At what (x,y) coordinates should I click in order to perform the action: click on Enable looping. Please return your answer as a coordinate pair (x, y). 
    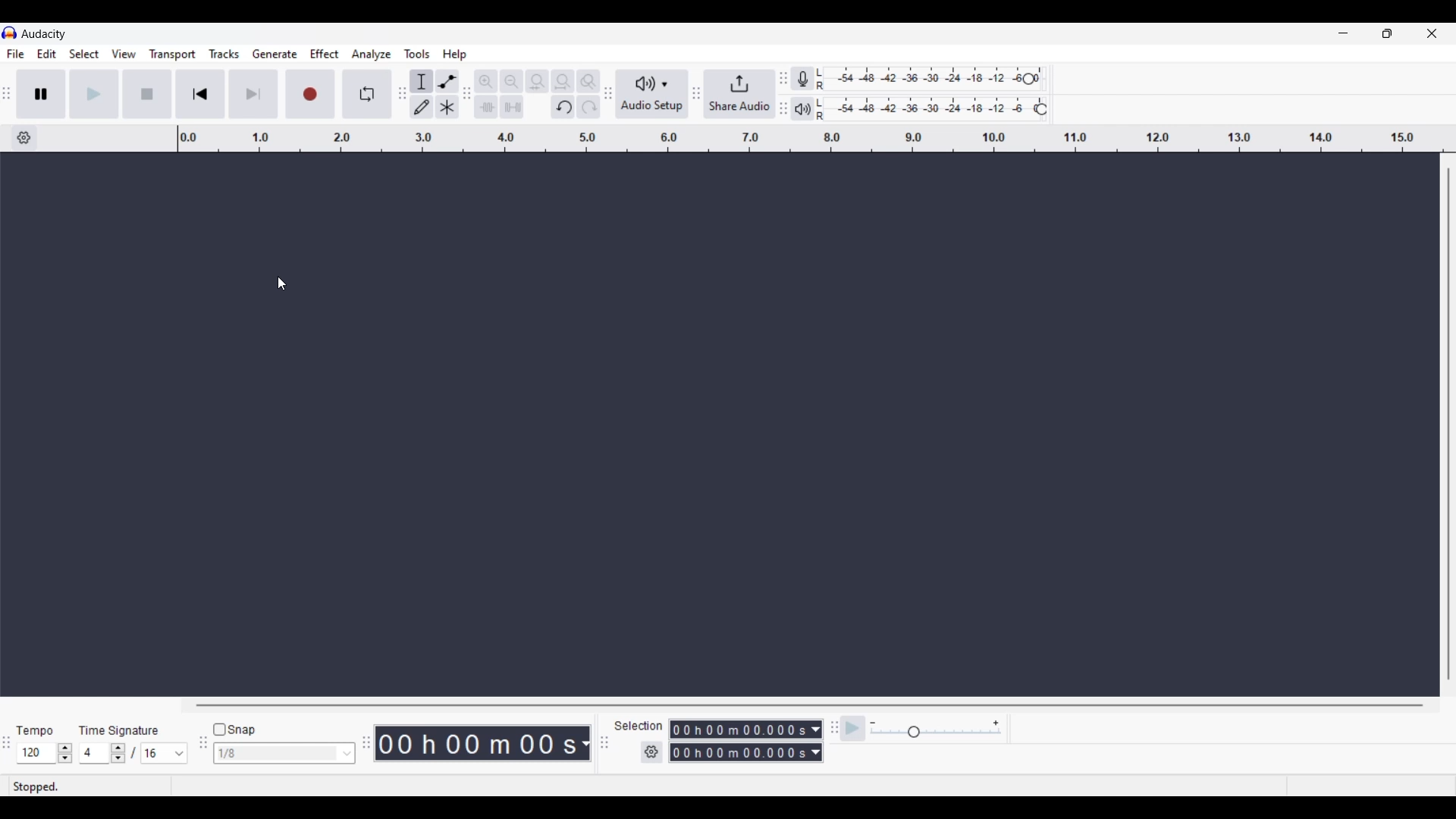
    Looking at the image, I should click on (368, 94).